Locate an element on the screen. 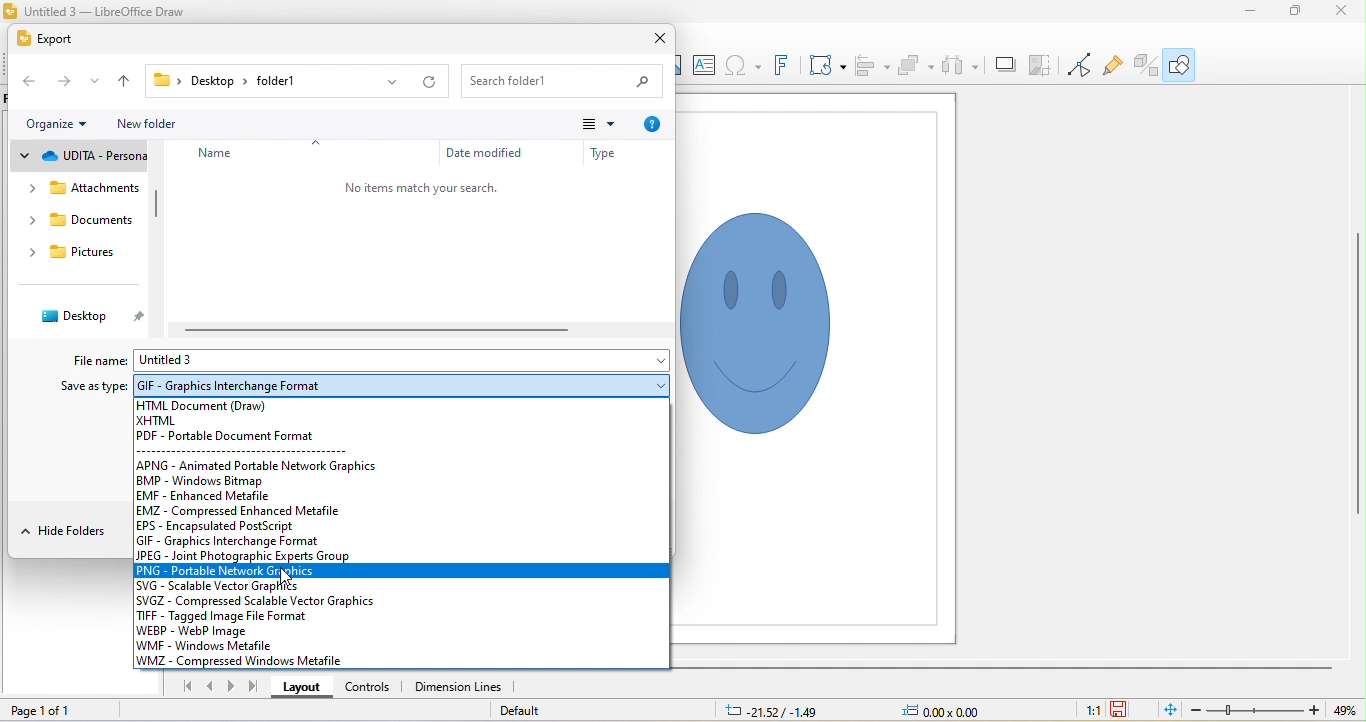 Image resolution: width=1366 pixels, height=722 pixels. vertical scroll bar is located at coordinates (155, 216).